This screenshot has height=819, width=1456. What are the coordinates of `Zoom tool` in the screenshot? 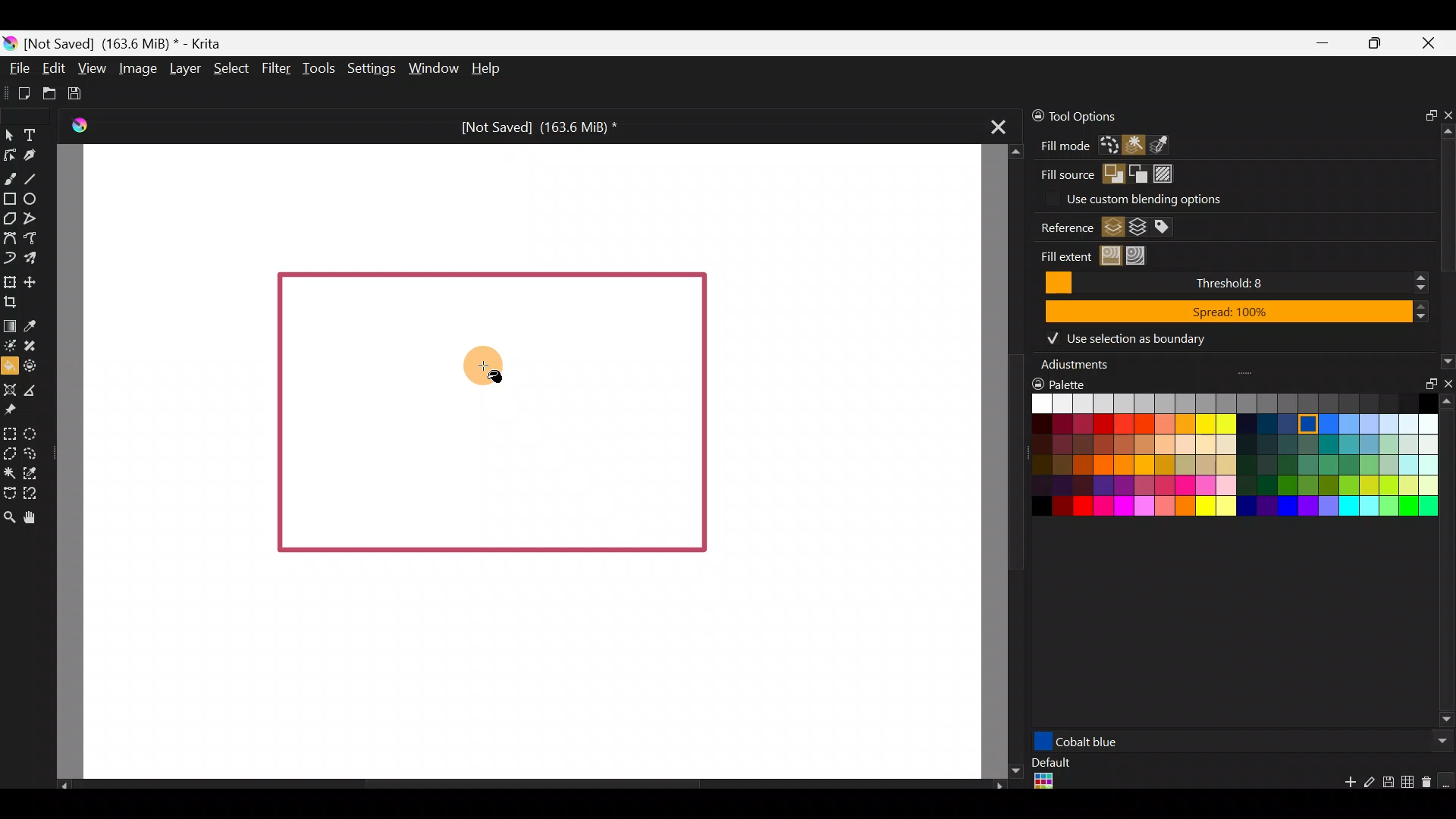 It's located at (9, 516).